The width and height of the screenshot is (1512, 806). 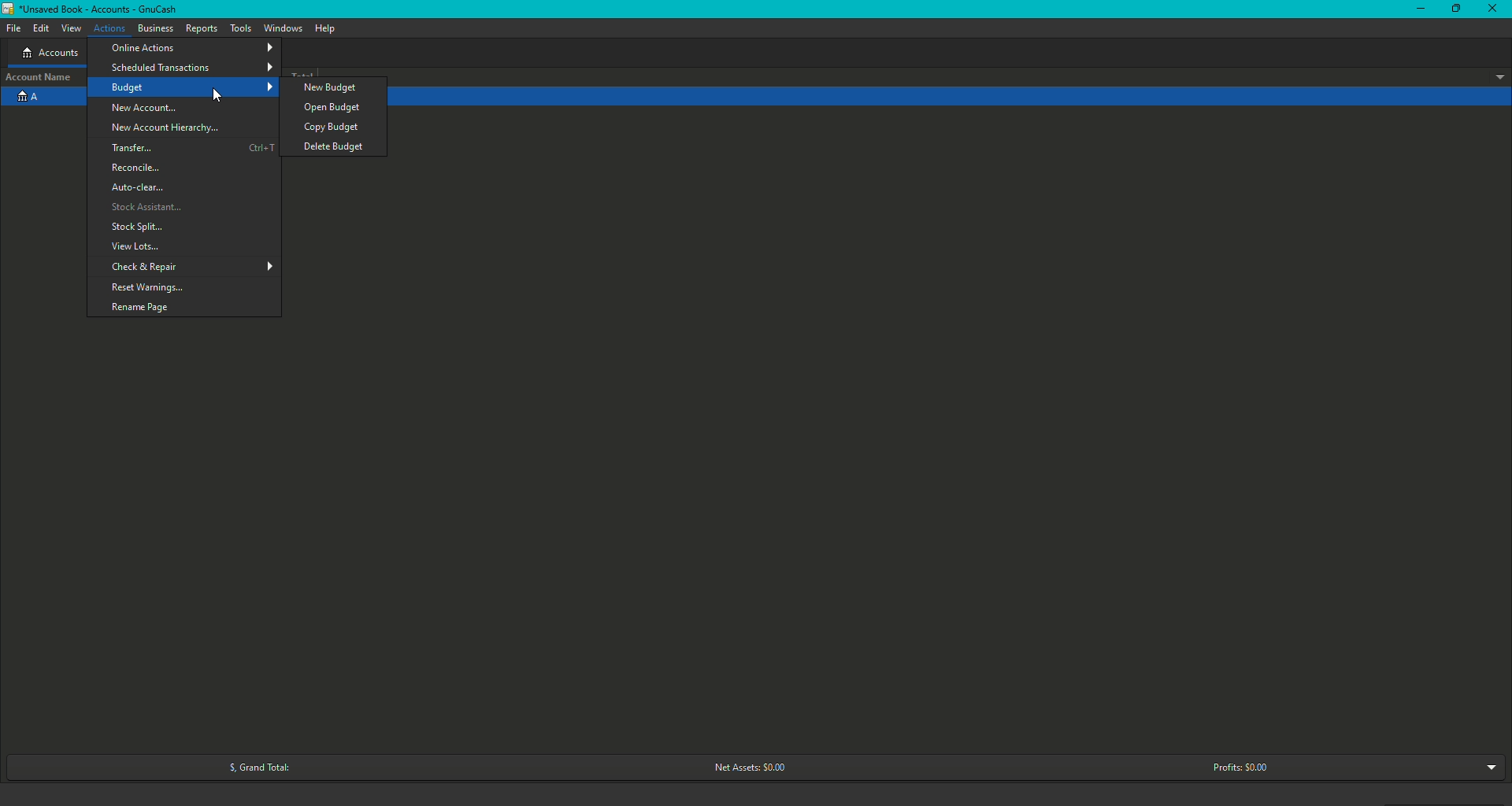 What do you see at coordinates (169, 127) in the screenshot?
I see `New Account Hierarchy` at bounding box center [169, 127].